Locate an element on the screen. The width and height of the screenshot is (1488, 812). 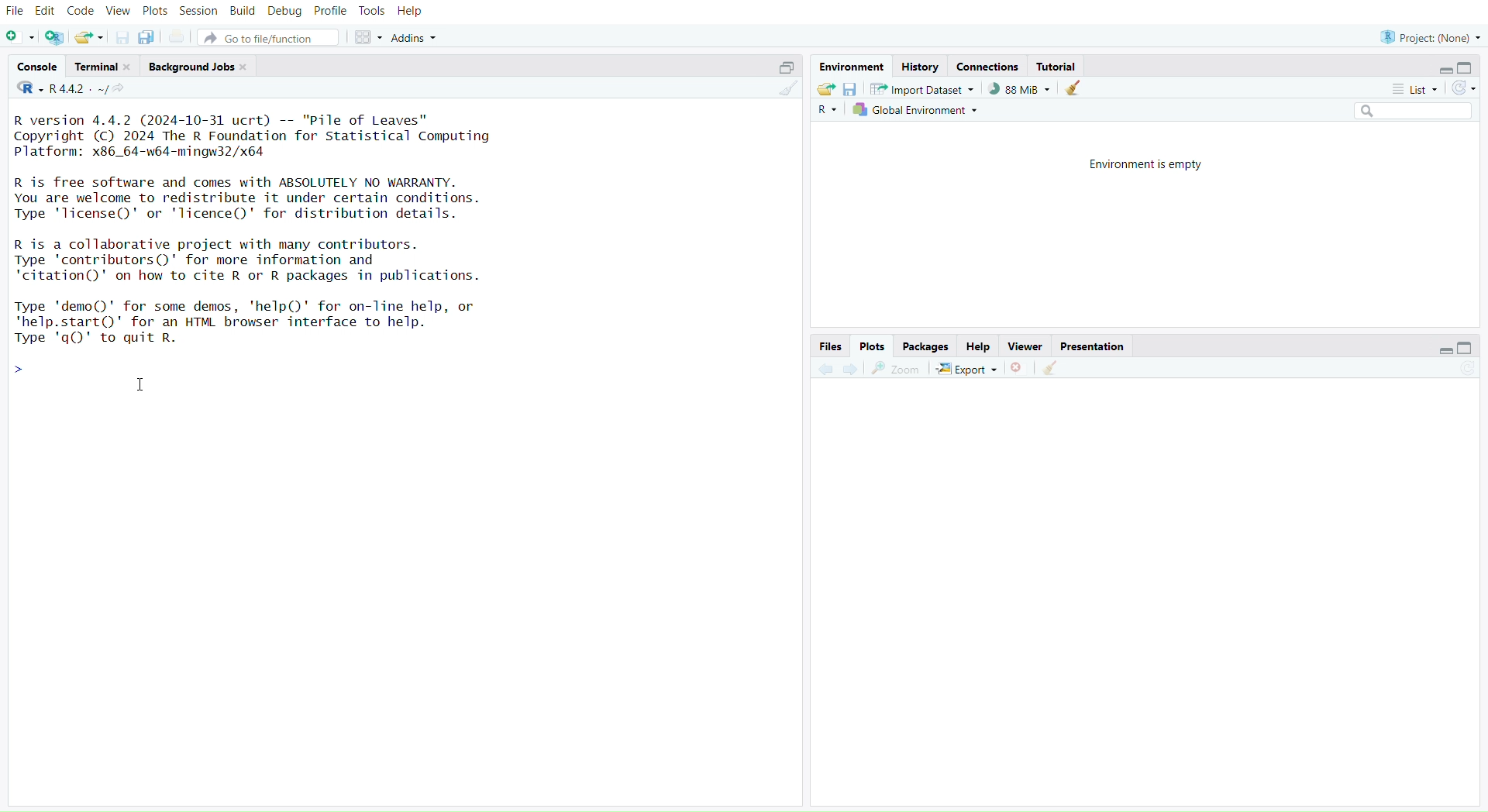
code is located at coordinates (82, 11).